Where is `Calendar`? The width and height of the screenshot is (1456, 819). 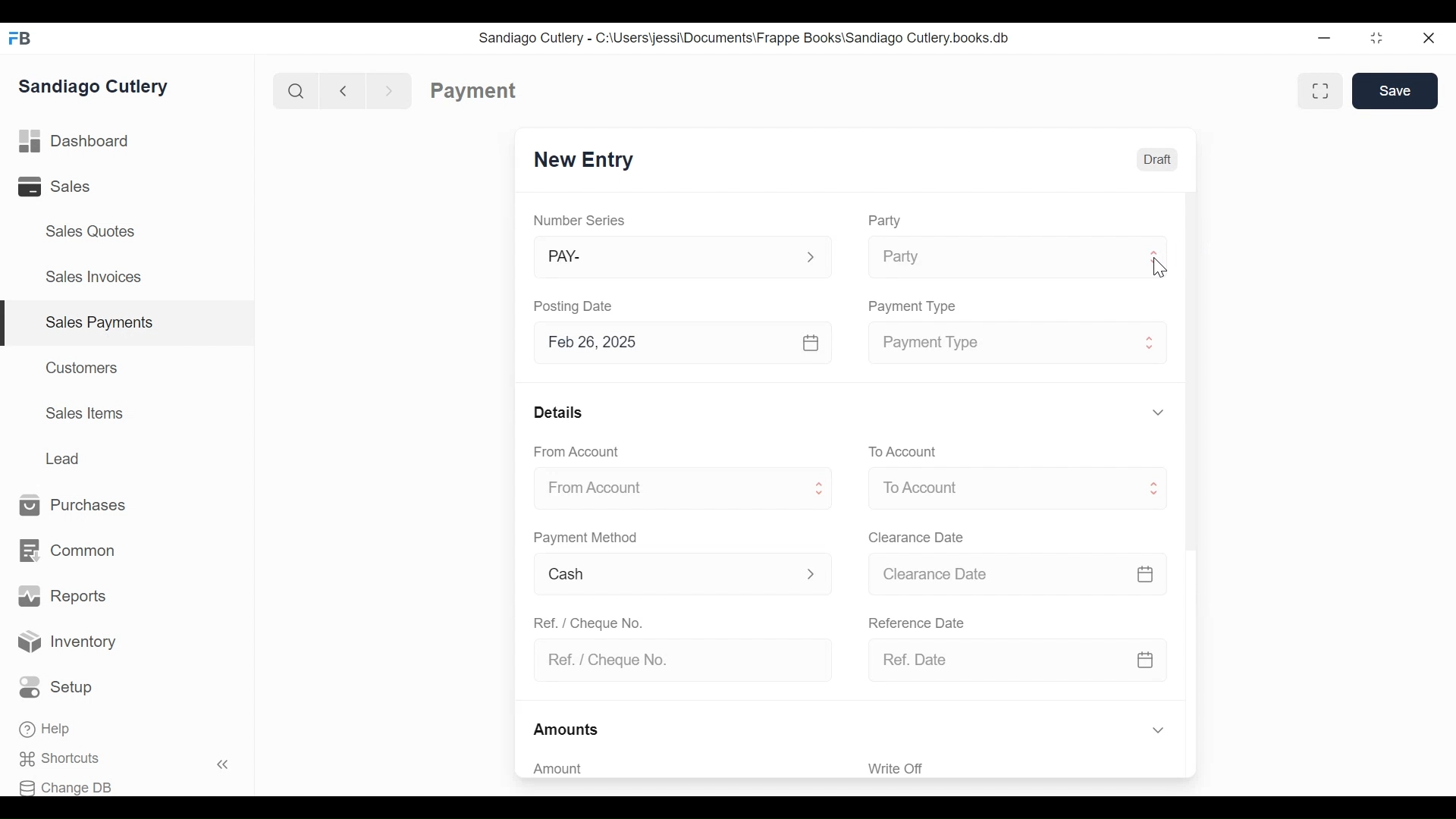
Calendar is located at coordinates (812, 343).